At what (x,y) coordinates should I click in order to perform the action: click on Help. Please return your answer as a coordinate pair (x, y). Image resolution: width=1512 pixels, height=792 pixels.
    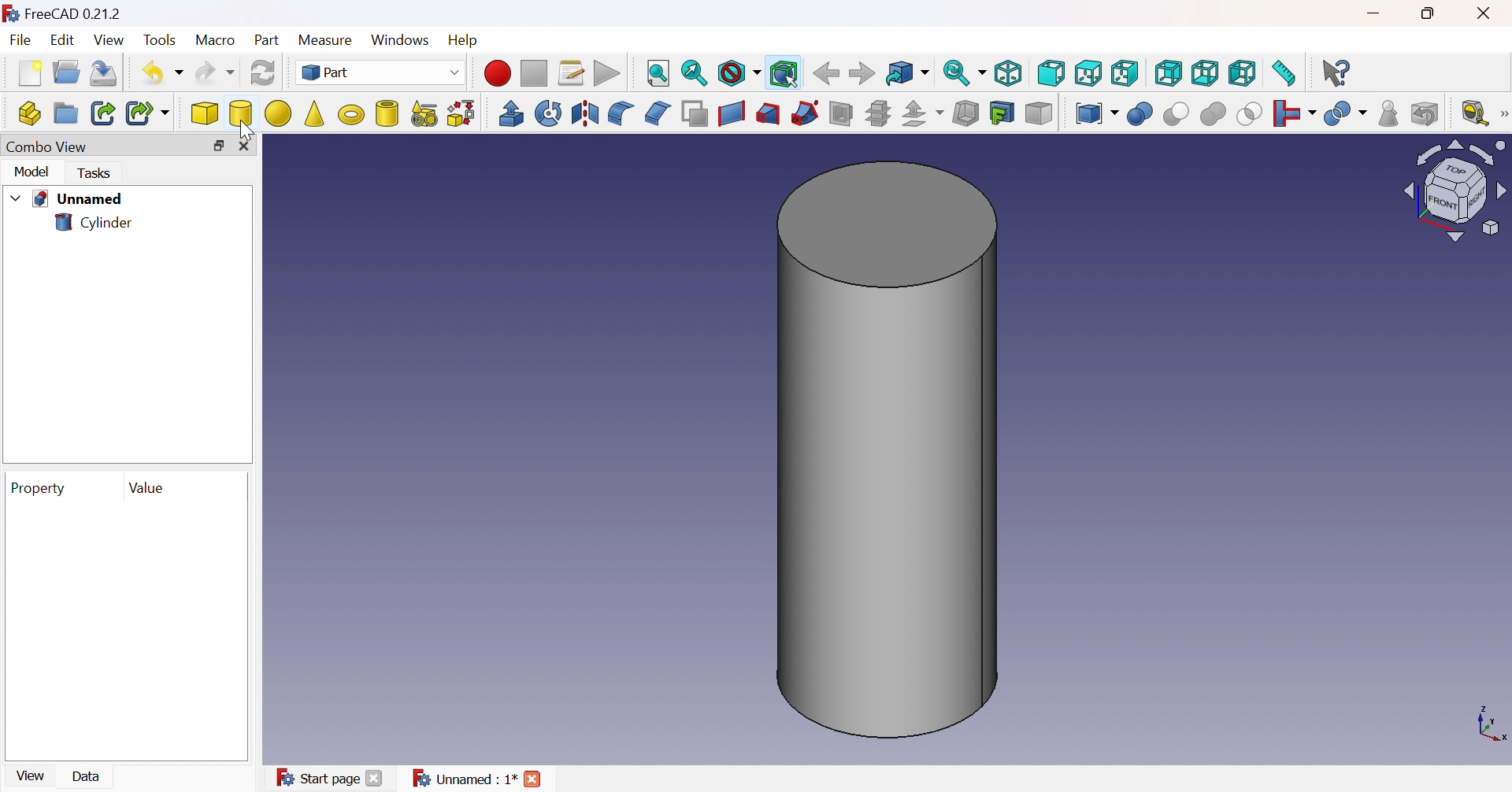
    Looking at the image, I should click on (465, 41).